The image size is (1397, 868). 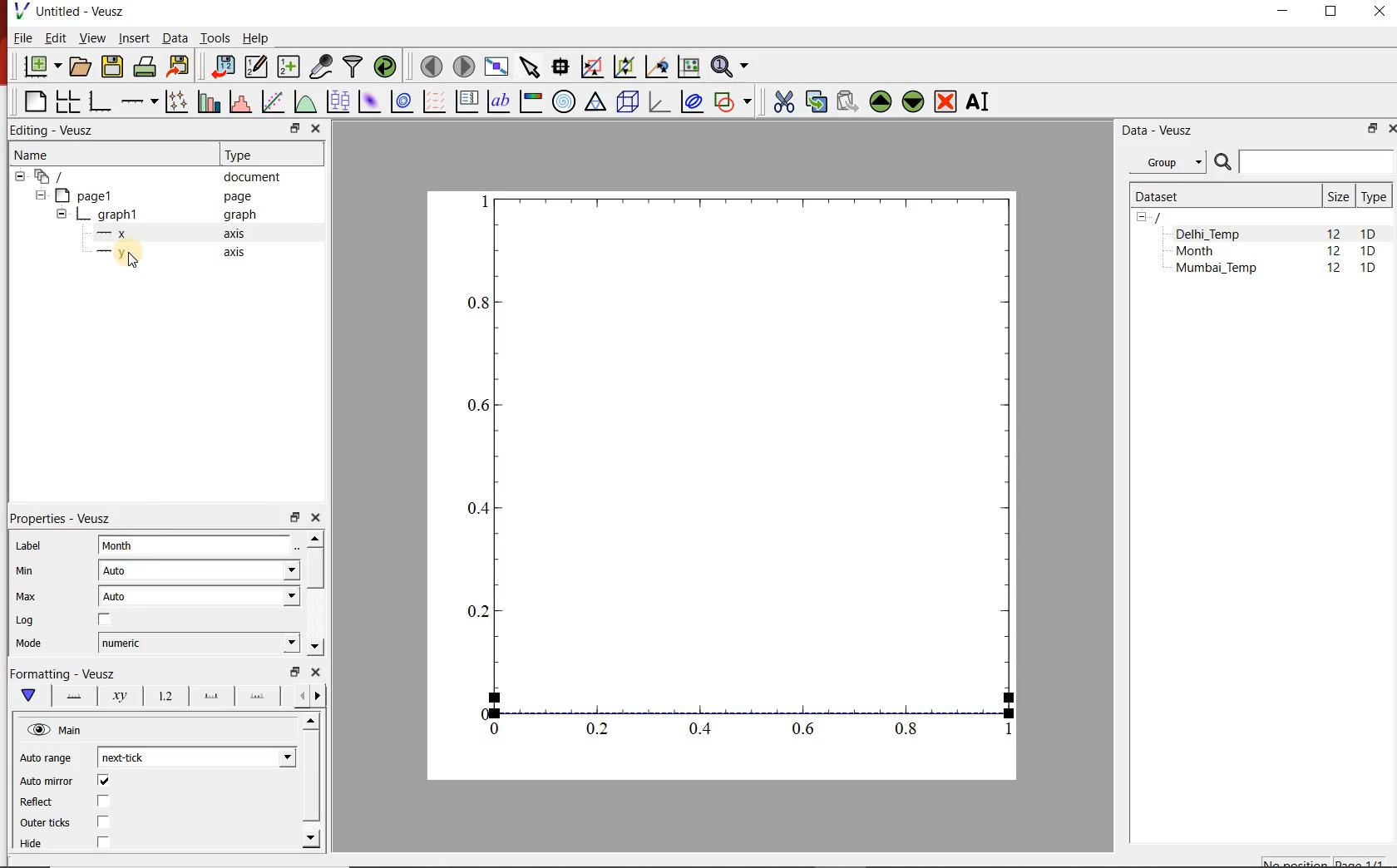 What do you see at coordinates (1333, 233) in the screenshot?
I see `12` at bounding box center [1333, 233].